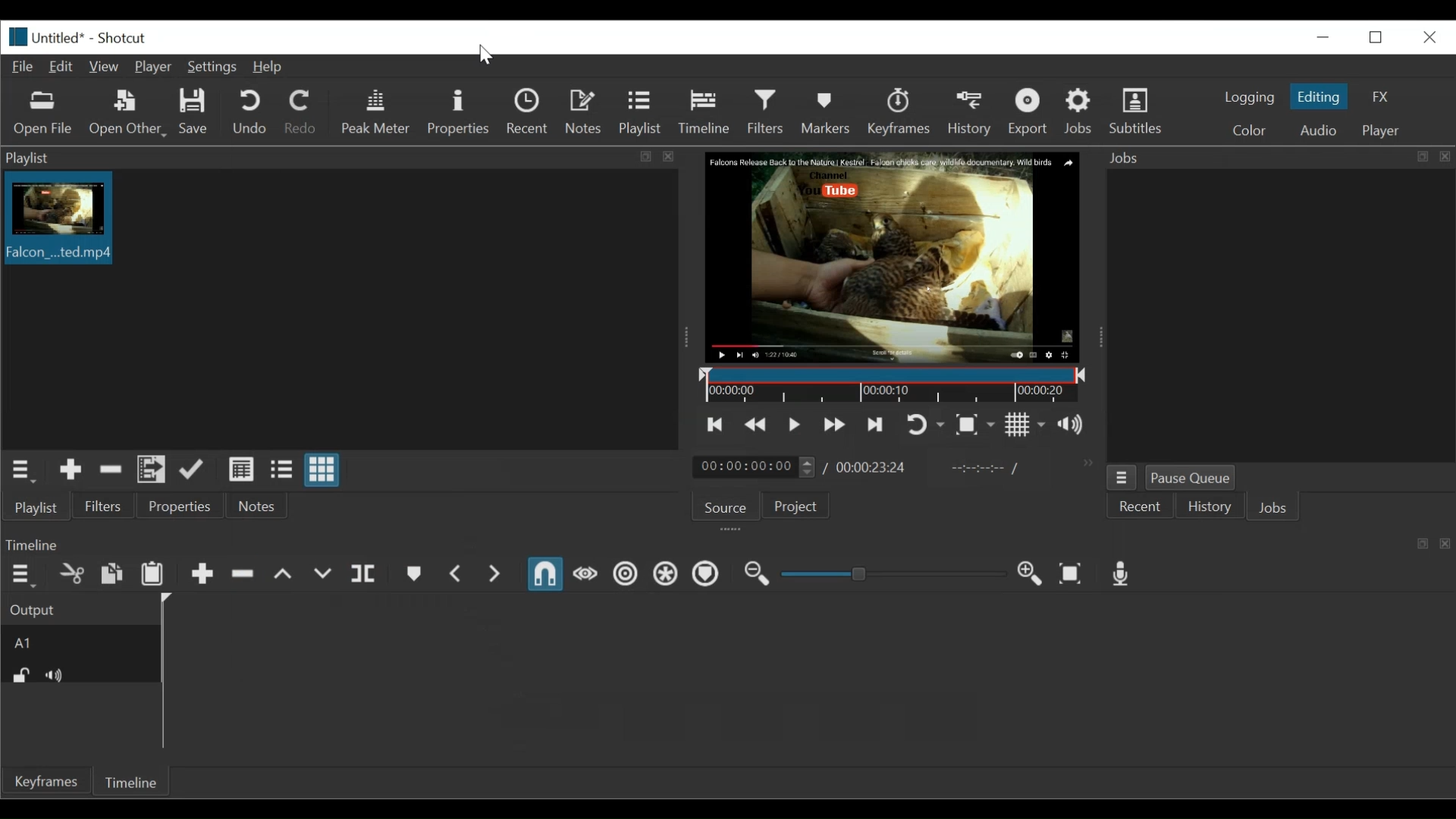  What do you see at coordinates (730, 507) in the screenshot?
I see `Source` at bounding box center [730, 507].